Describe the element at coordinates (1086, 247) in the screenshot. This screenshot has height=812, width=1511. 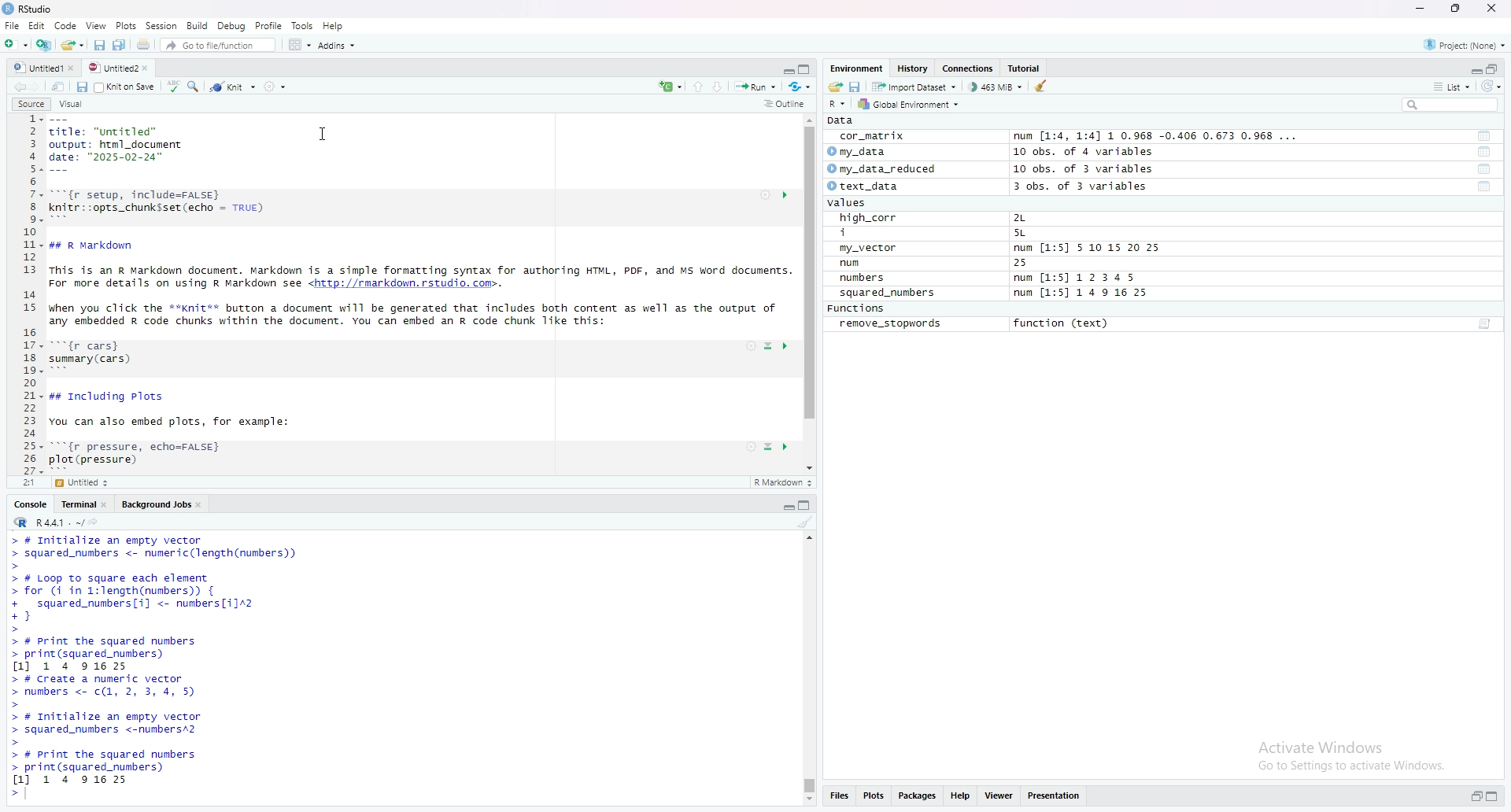
I see `num [1:5] 5 10 15 20 25` at that location.